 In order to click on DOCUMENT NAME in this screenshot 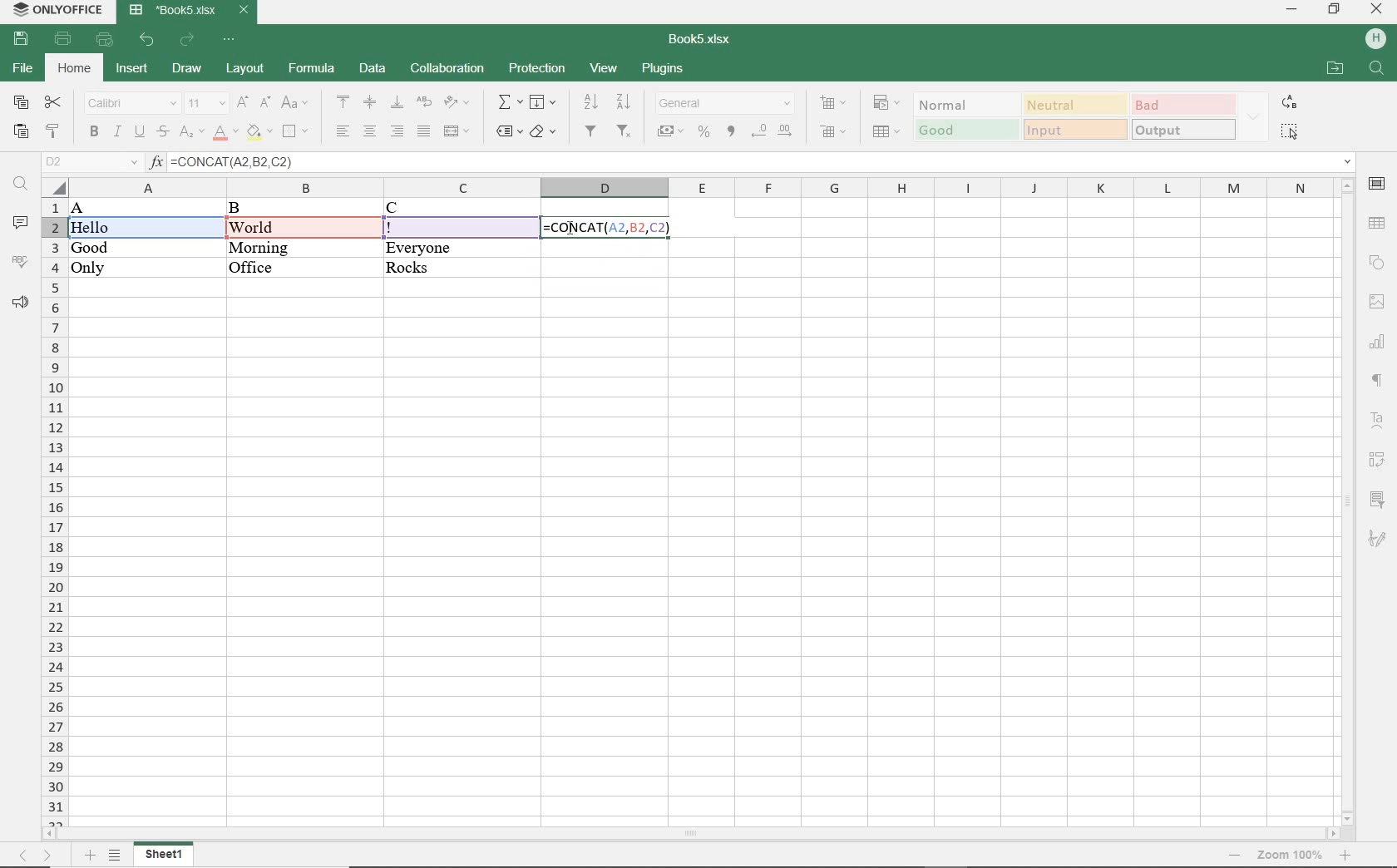, I will do `click(701, 41)`.